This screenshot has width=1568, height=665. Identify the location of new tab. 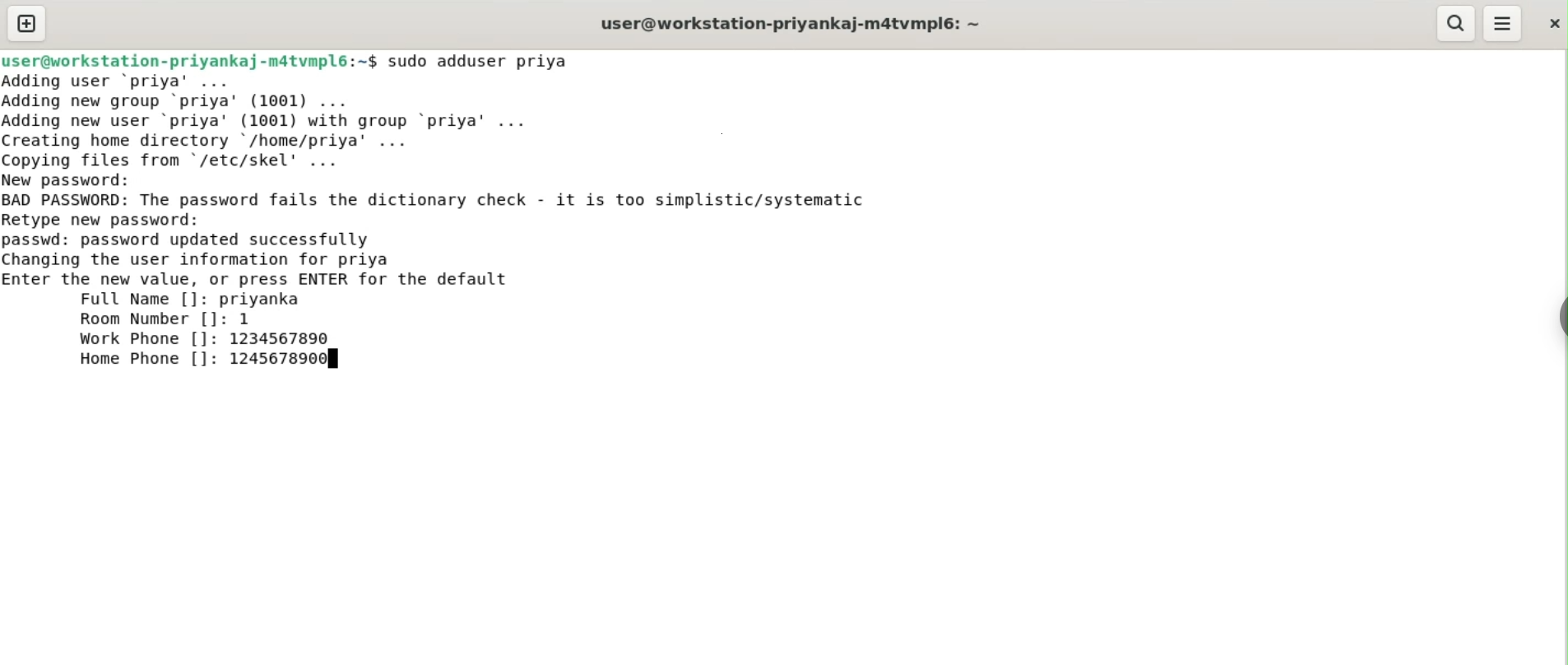
(27, 23).